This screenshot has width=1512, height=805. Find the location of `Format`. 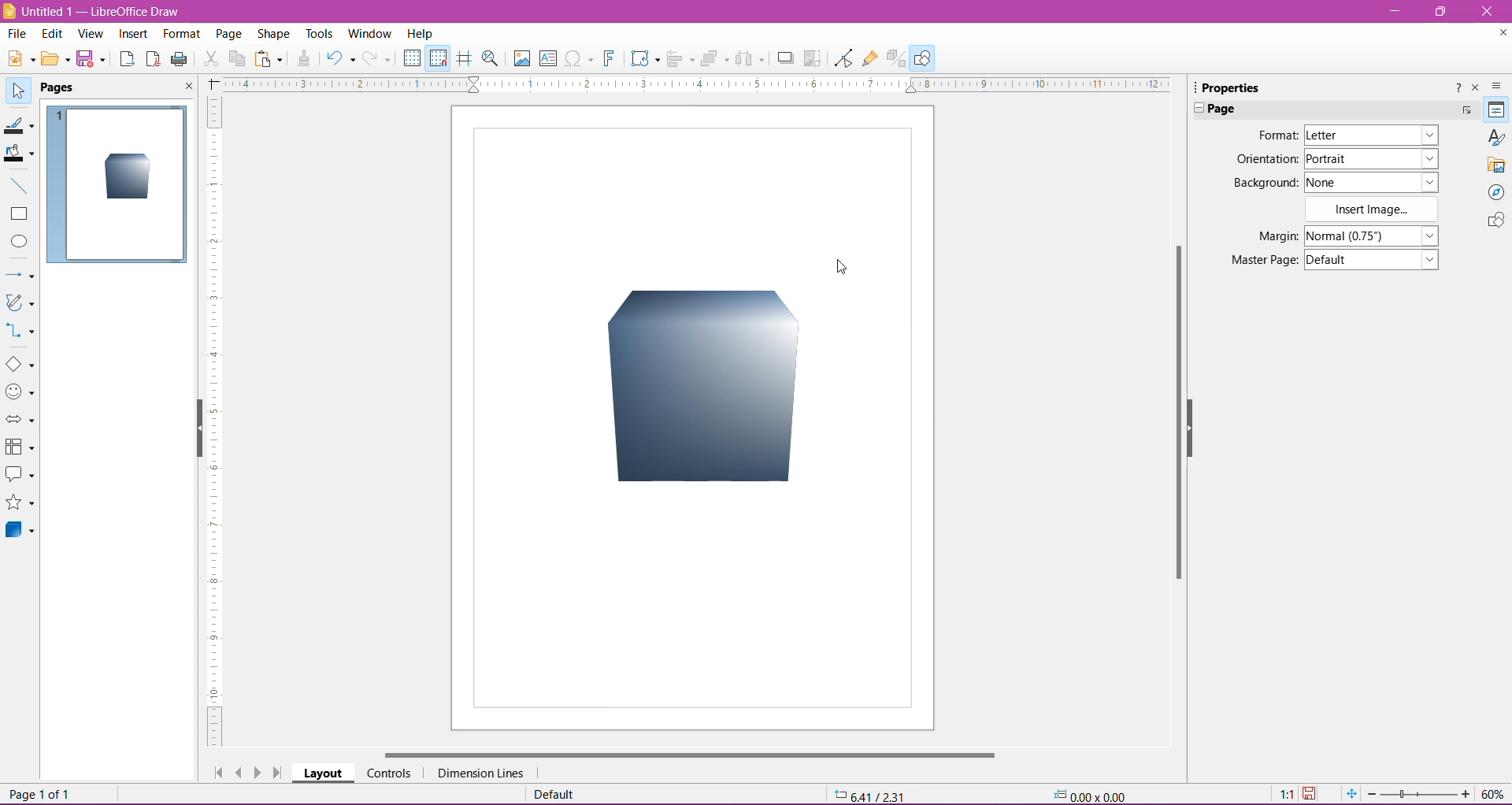

Format is located at coordinates (180, 35).